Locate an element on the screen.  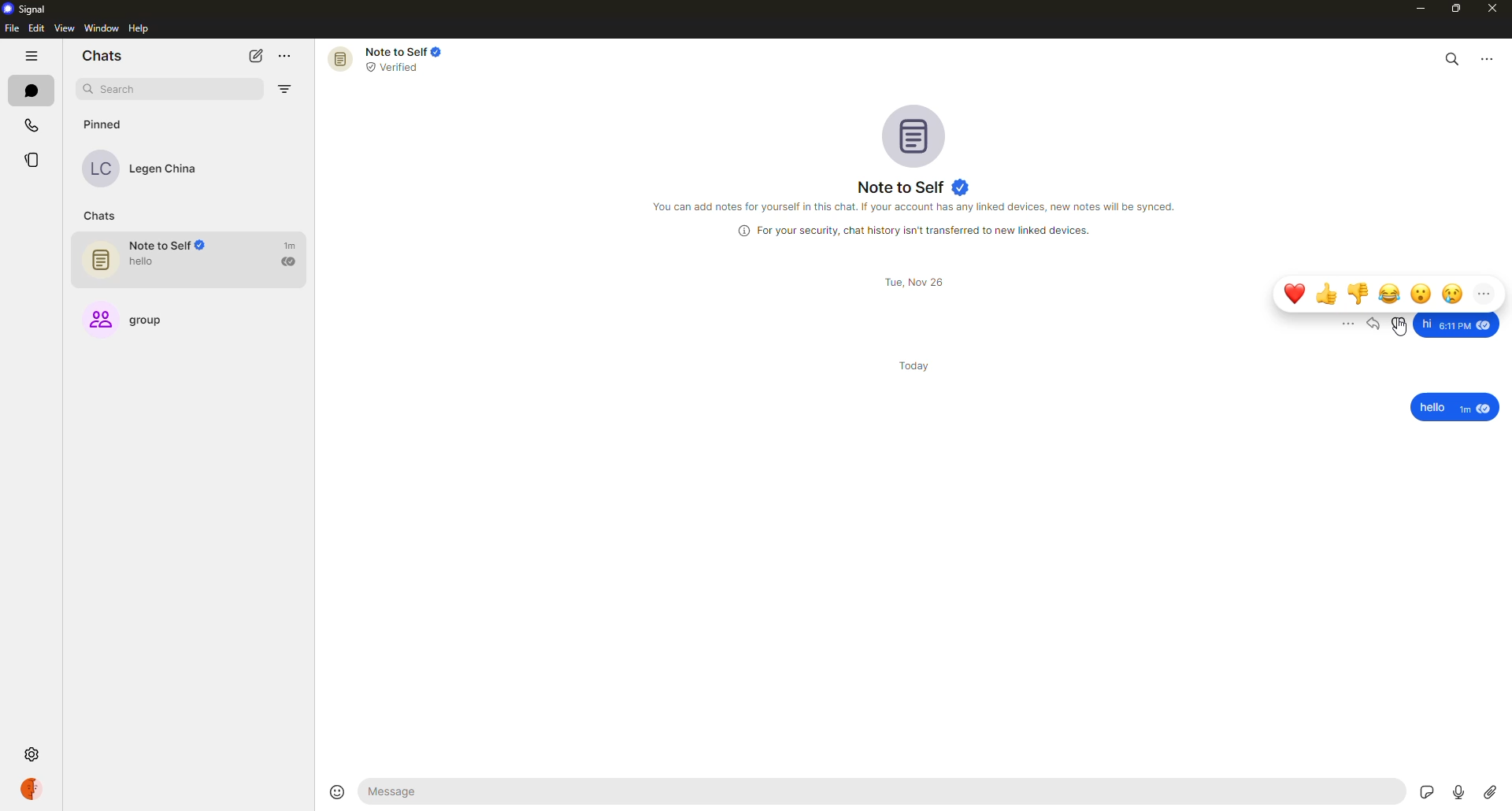
day is located at coordinates (917, 282).